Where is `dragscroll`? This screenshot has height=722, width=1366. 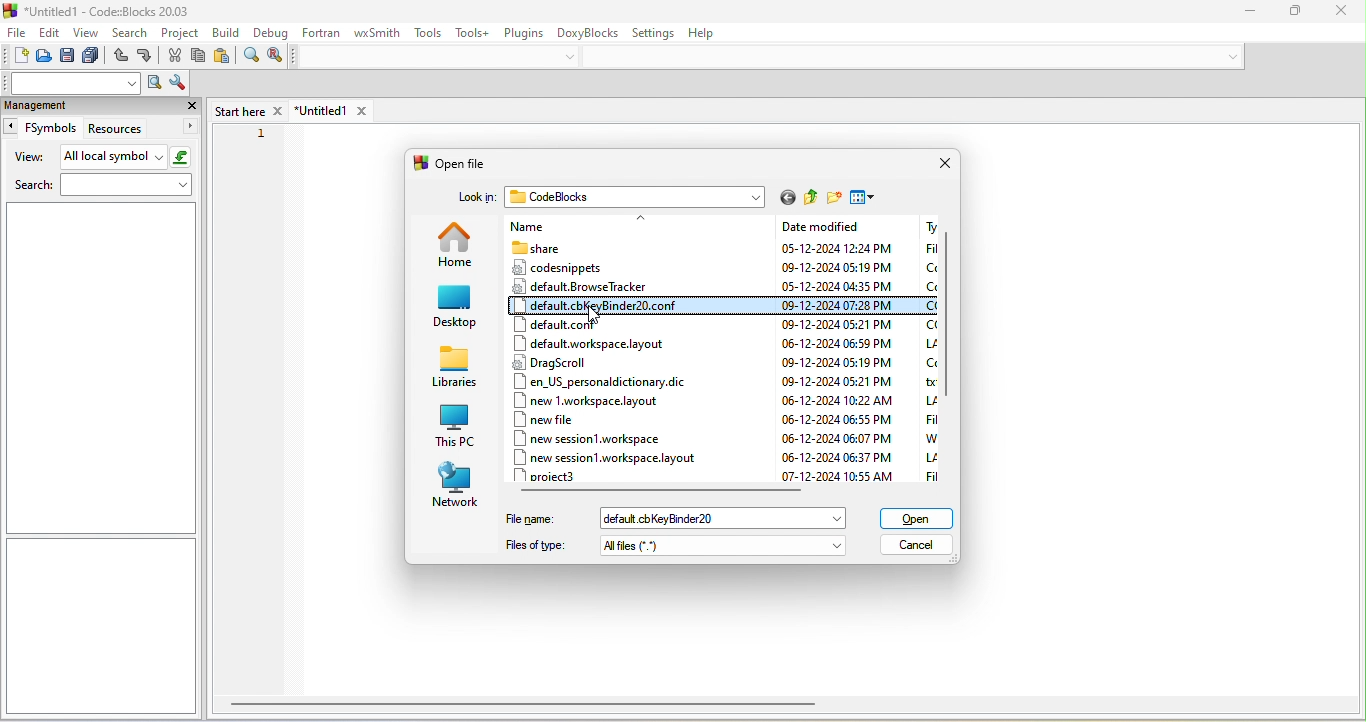
dragscroll is located at coordinates (550, 362).